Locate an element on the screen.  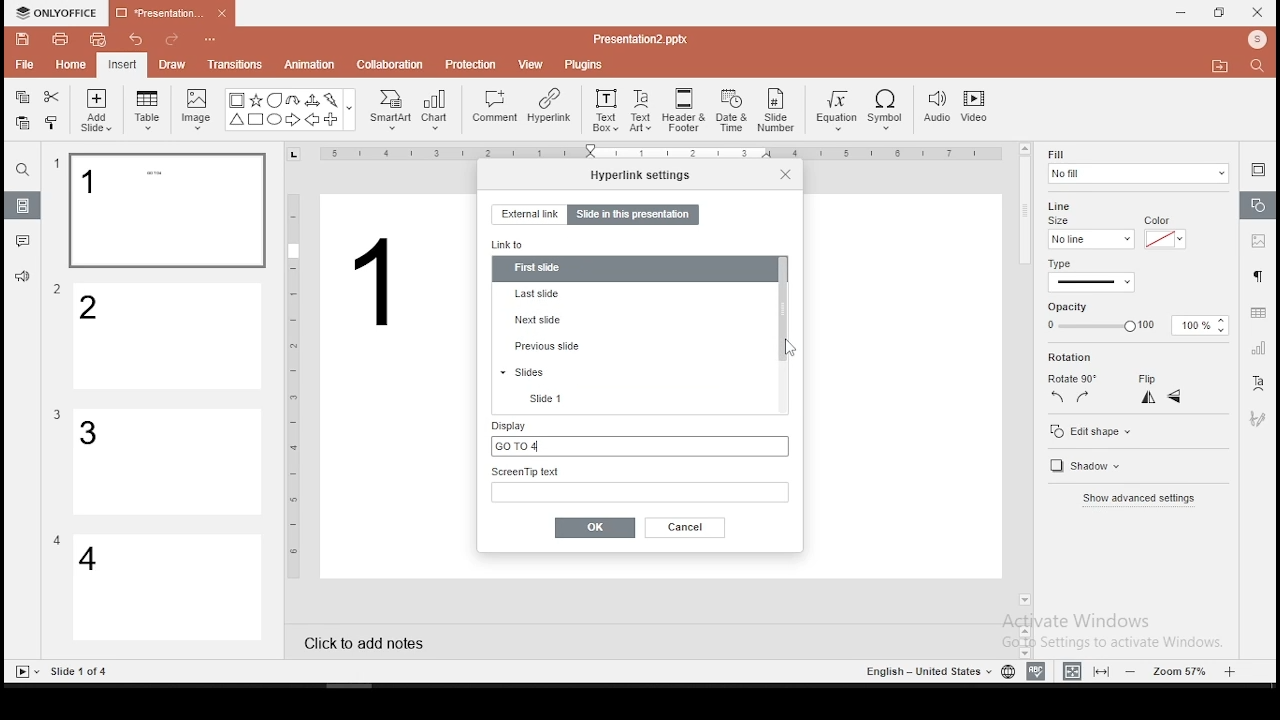
view is located at coordinates (532, 63).